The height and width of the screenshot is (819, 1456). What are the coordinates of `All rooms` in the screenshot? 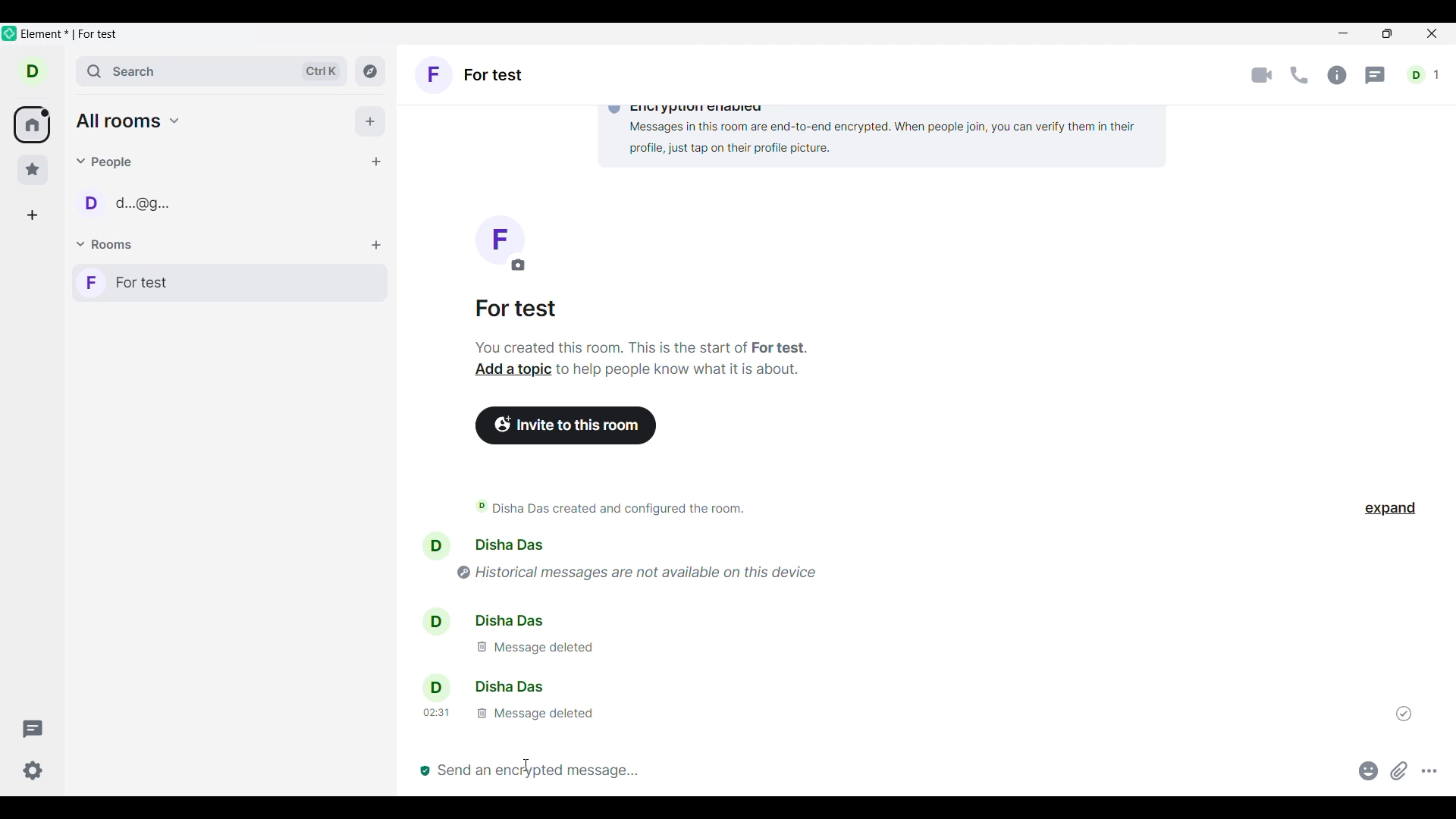 It's located at (32, 125).